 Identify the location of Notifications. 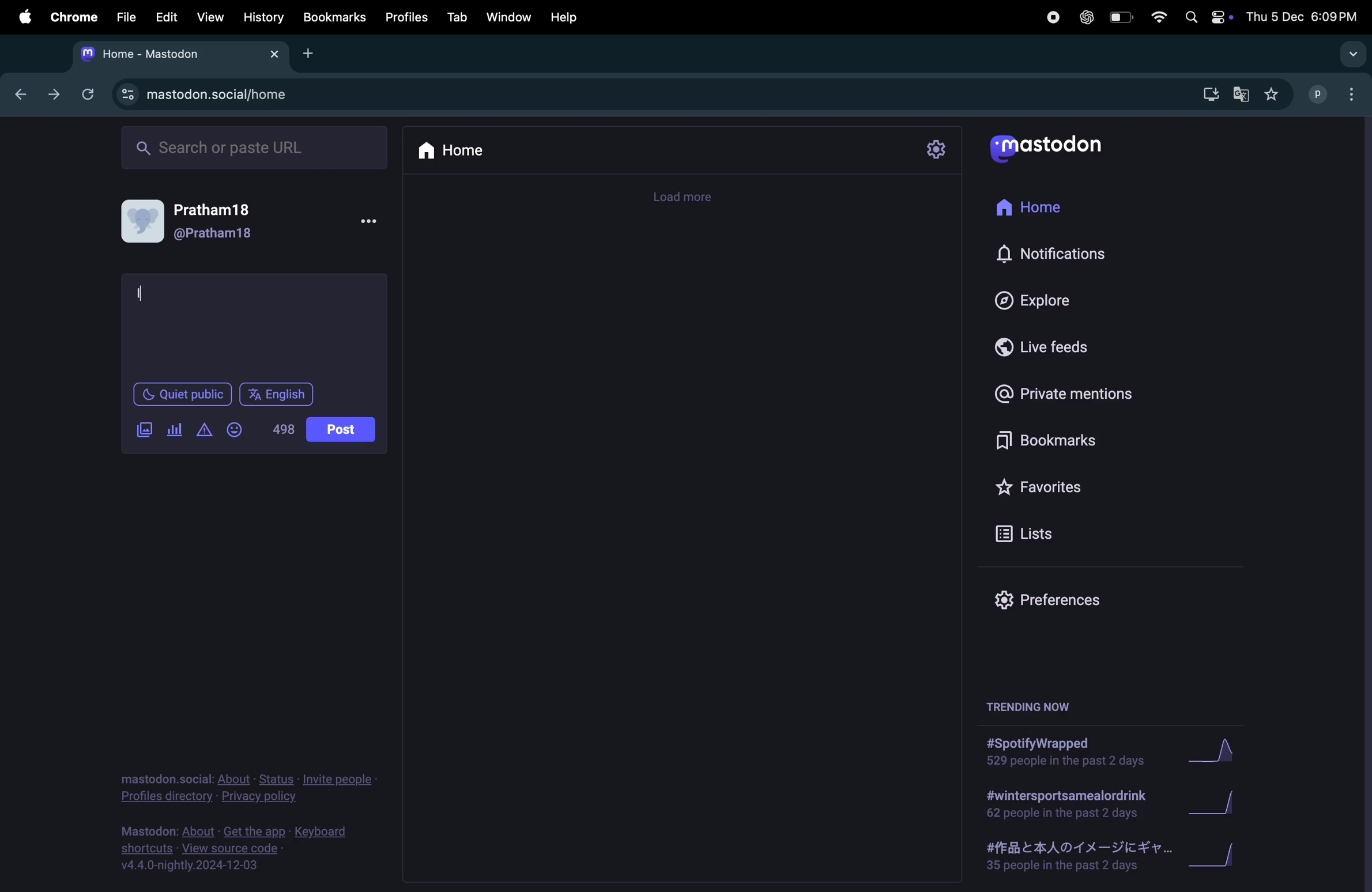
(1055, 252).